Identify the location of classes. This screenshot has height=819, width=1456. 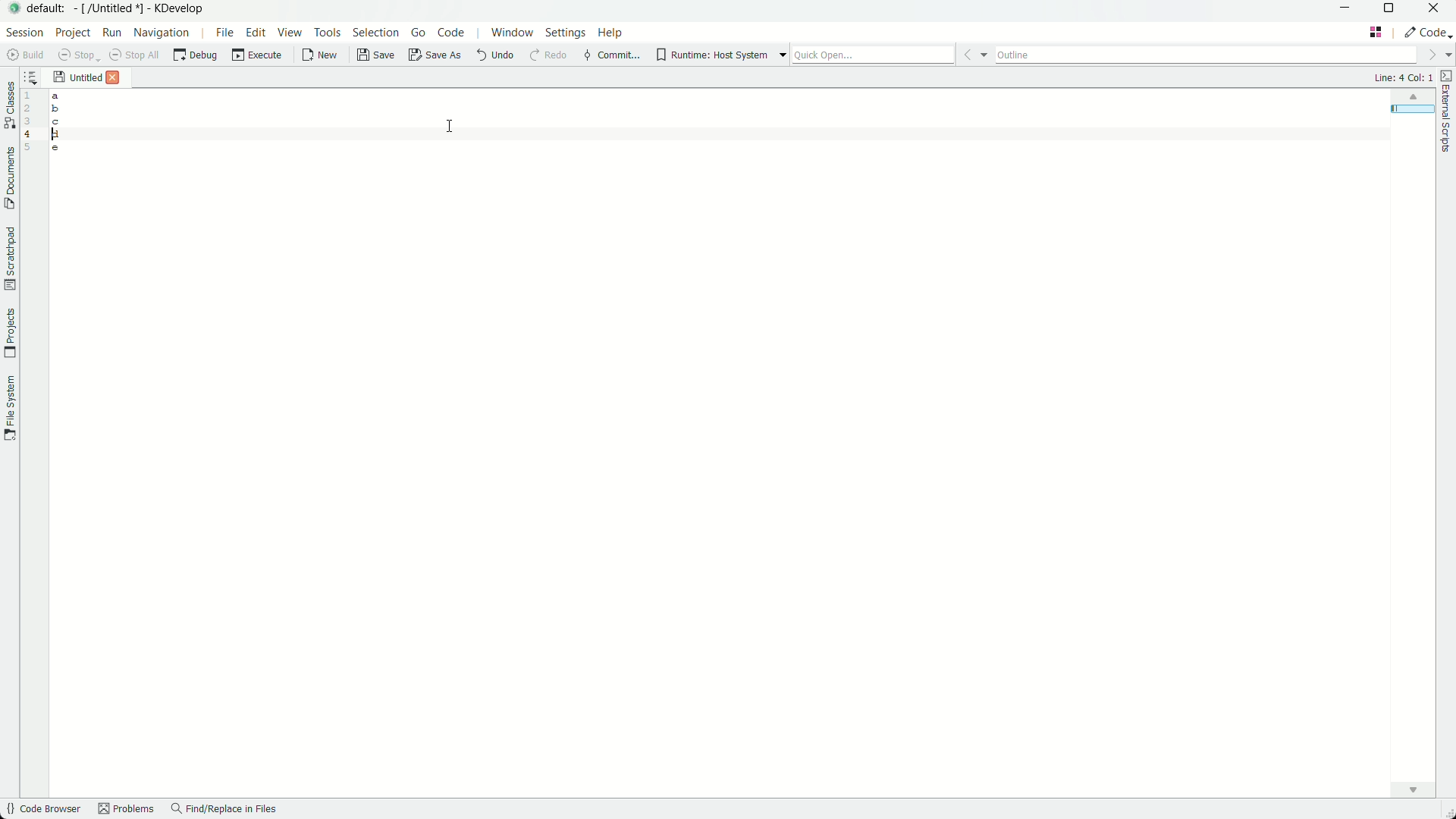
(9, 106).